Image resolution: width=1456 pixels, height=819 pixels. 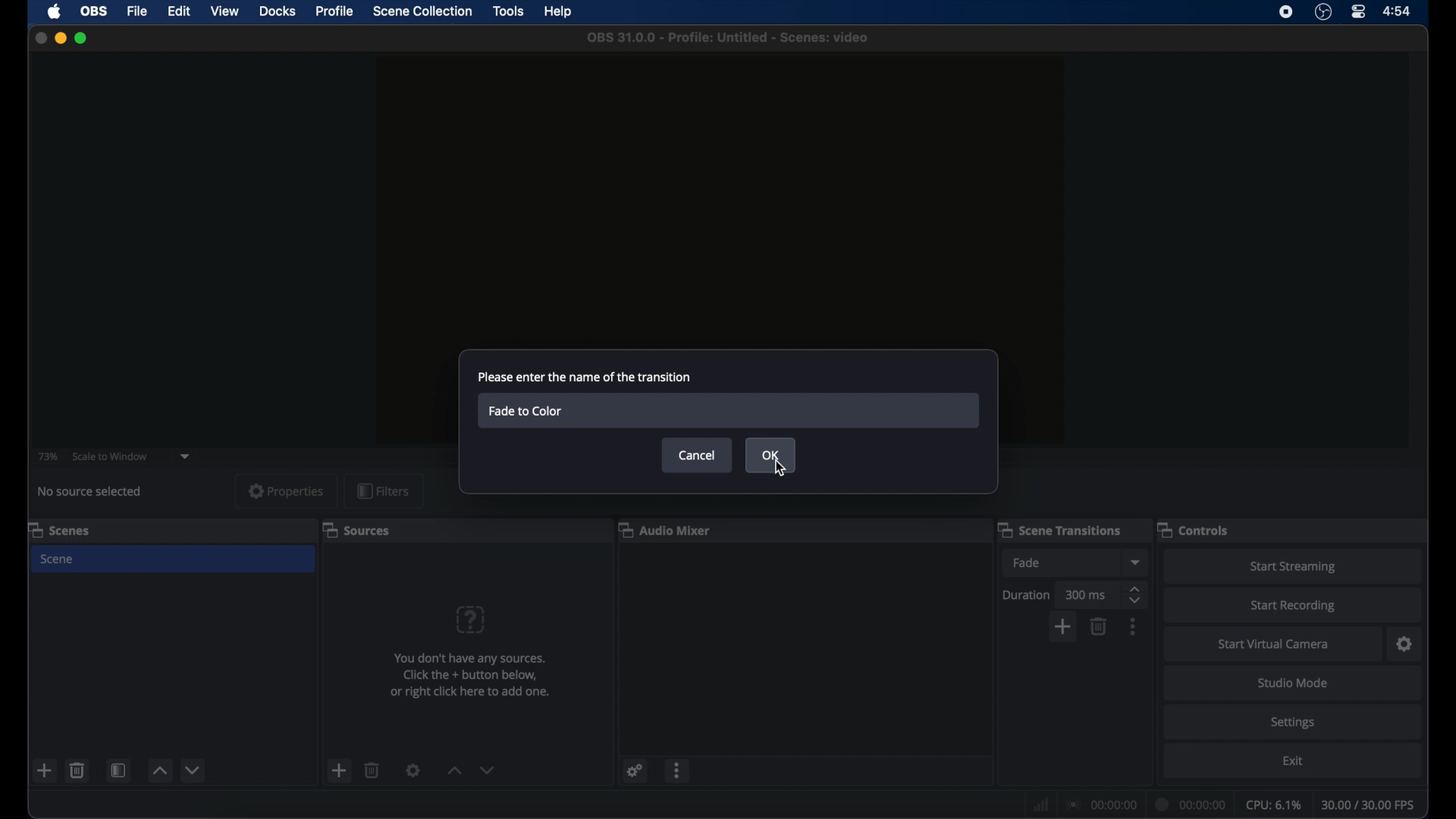 I want to click on close, so click(x=40, y=38).